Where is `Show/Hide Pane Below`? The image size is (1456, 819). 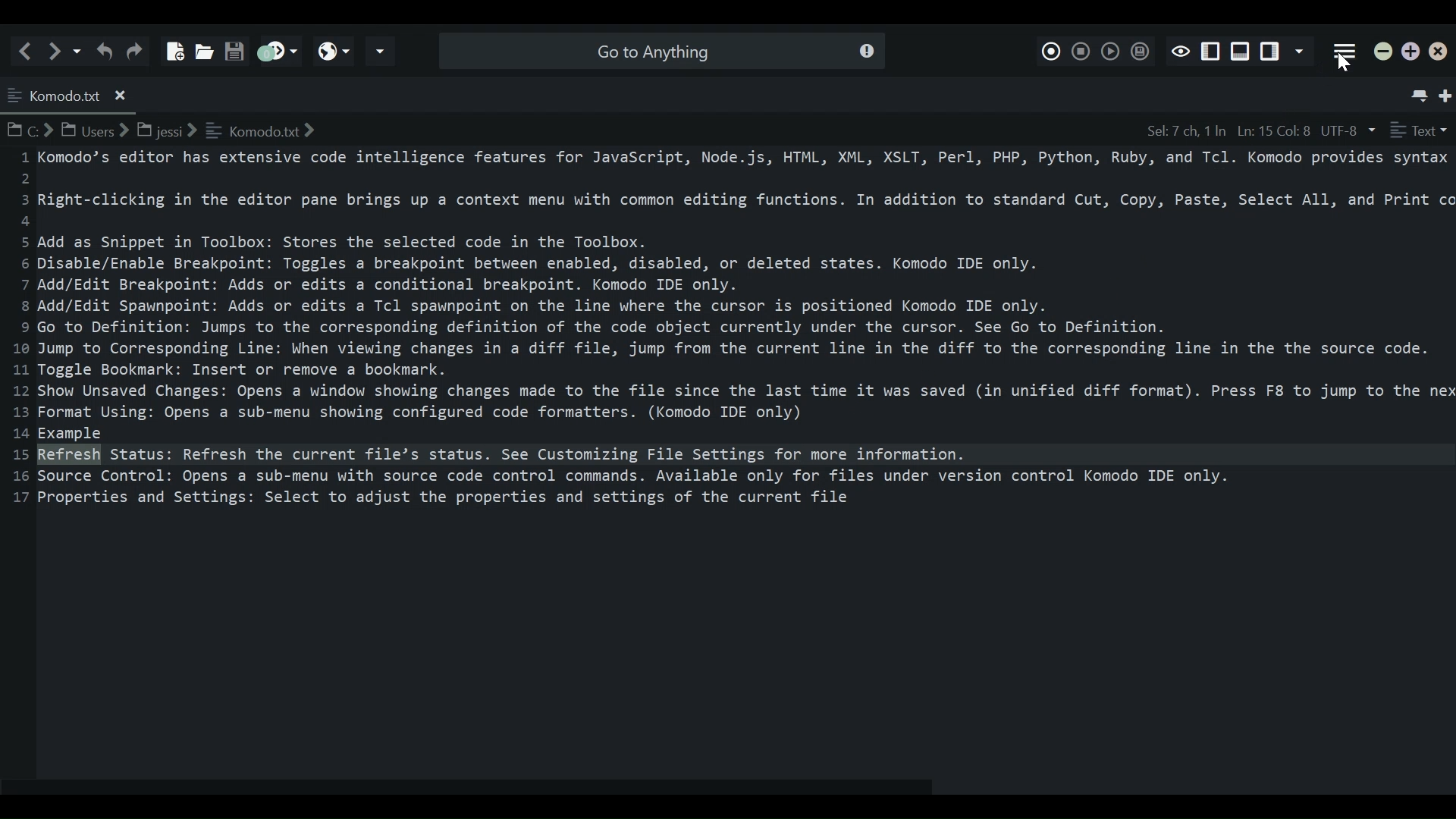
Show/Hide Pane Below is located at coordinates (1239, 52).